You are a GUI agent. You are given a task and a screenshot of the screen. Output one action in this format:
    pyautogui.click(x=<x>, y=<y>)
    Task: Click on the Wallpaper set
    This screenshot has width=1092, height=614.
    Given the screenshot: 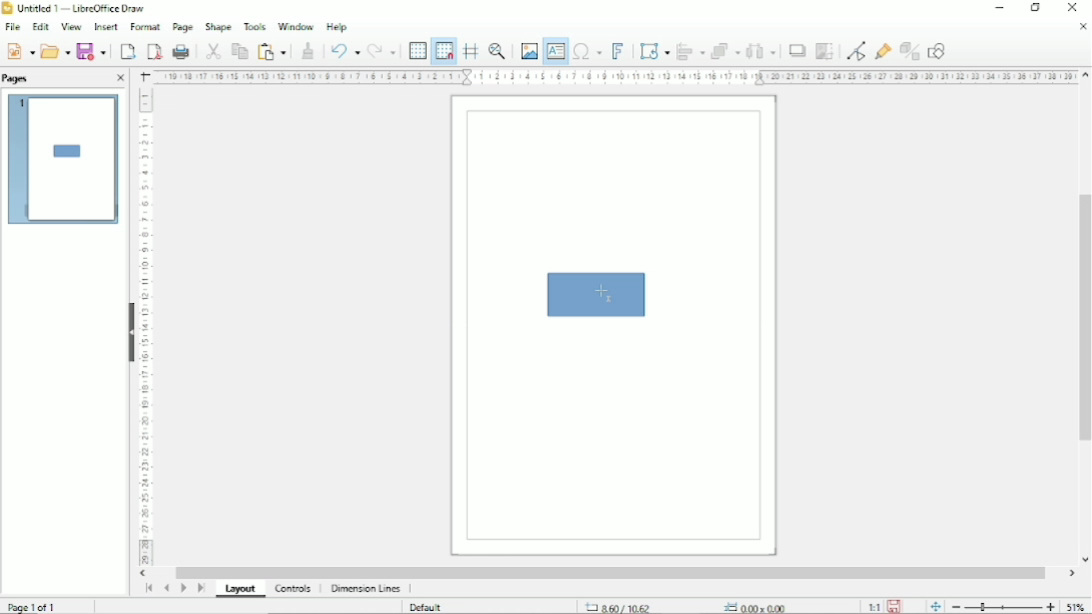 What is the action you would take?
    pyautogui.click(x=546, y=307)
    